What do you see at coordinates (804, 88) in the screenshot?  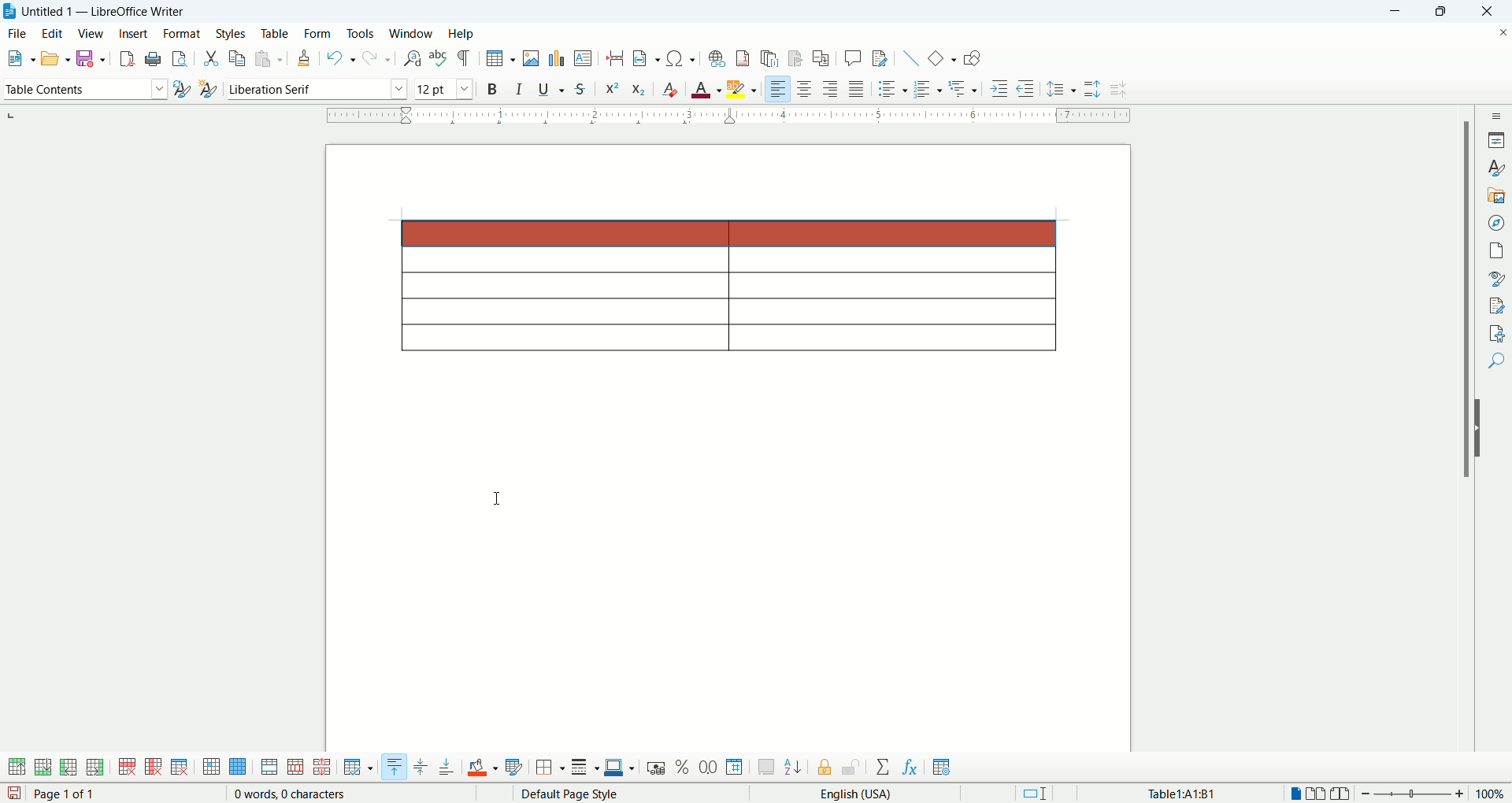 I see `align center` at bounding box center [804, 88].